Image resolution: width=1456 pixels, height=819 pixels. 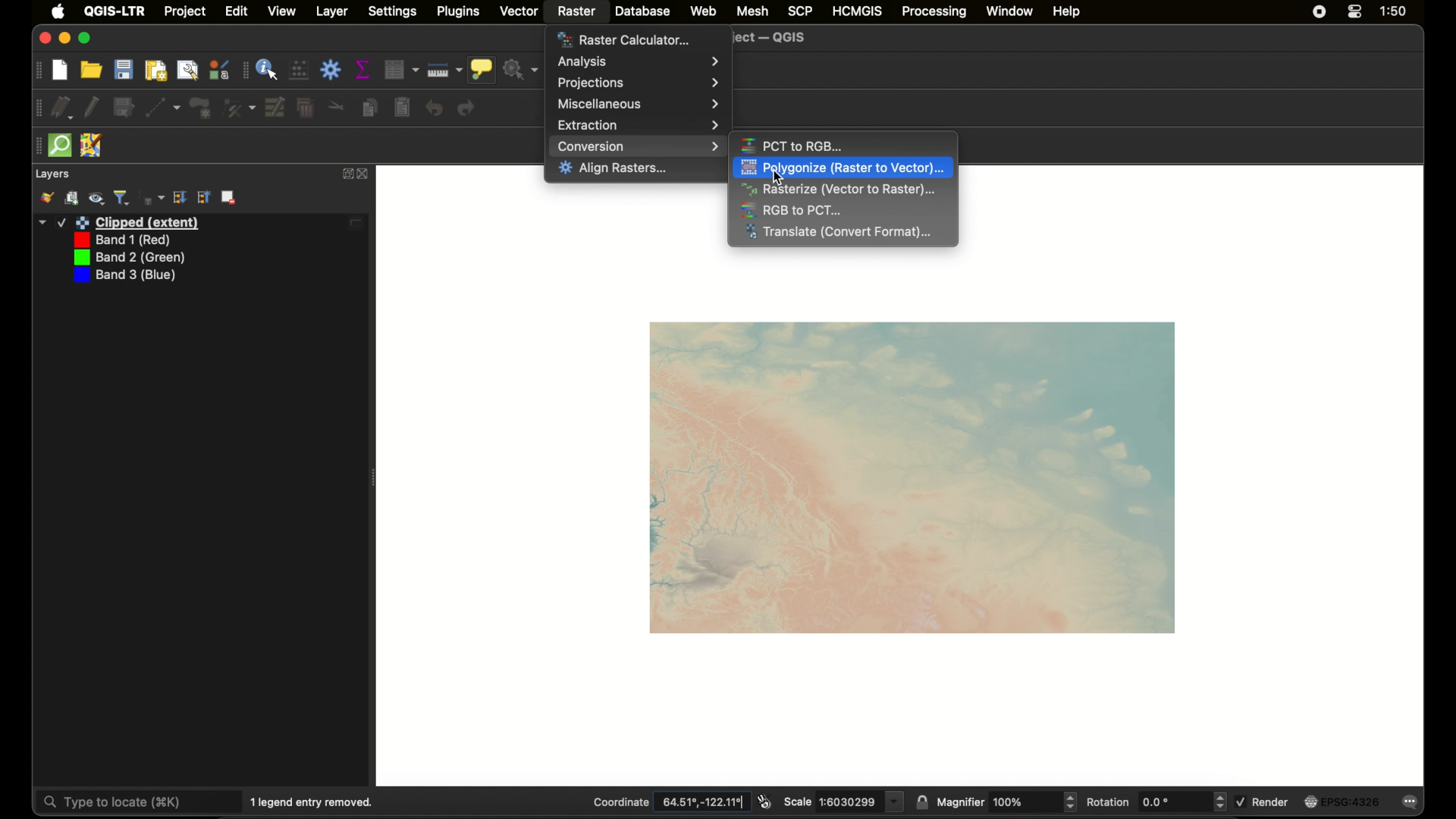 What do you see at coordinates (366, 174) in the screenshot?
I see `close` at bounding box center [366, 174].